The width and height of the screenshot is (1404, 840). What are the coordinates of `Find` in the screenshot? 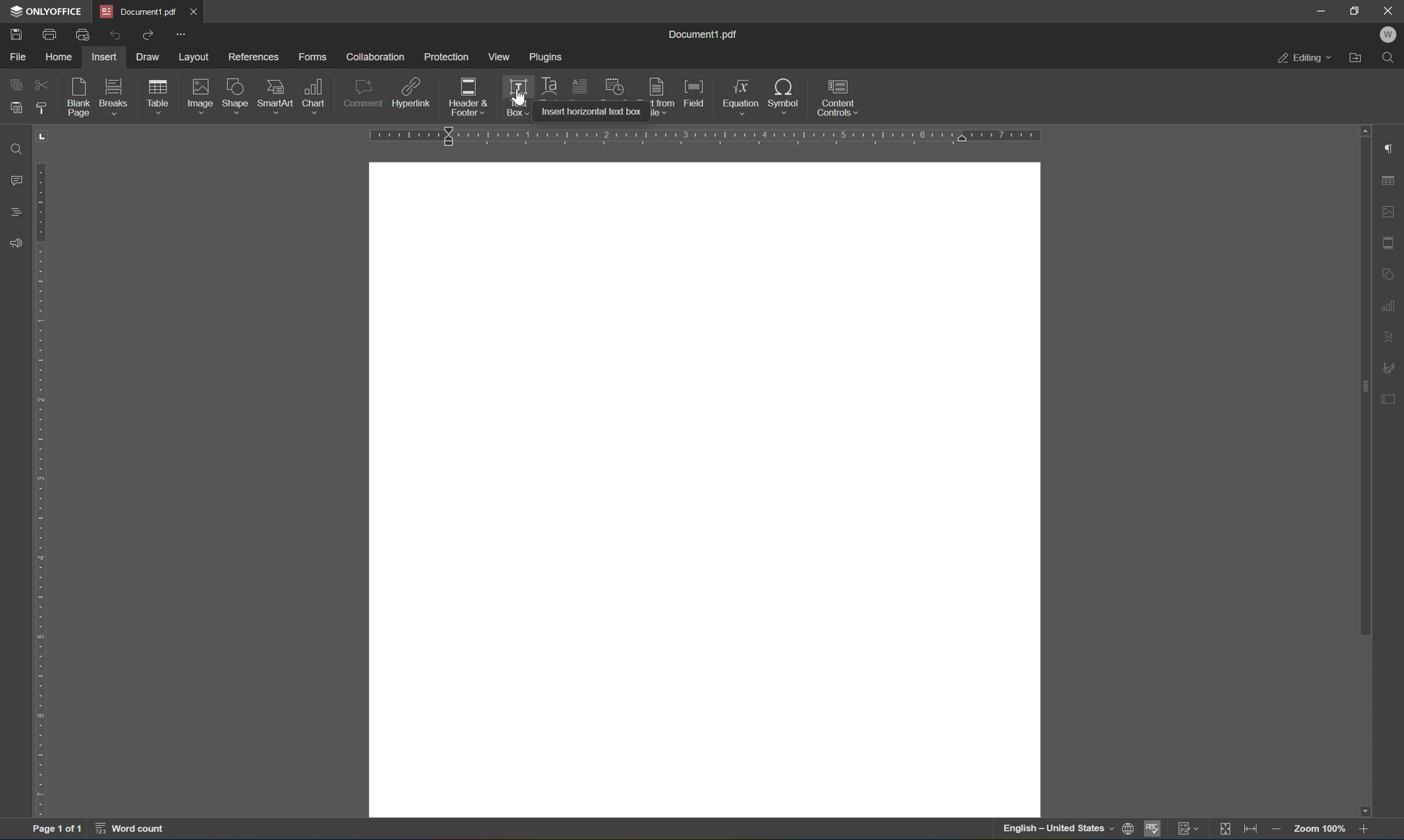 It's located at (1388, 58).